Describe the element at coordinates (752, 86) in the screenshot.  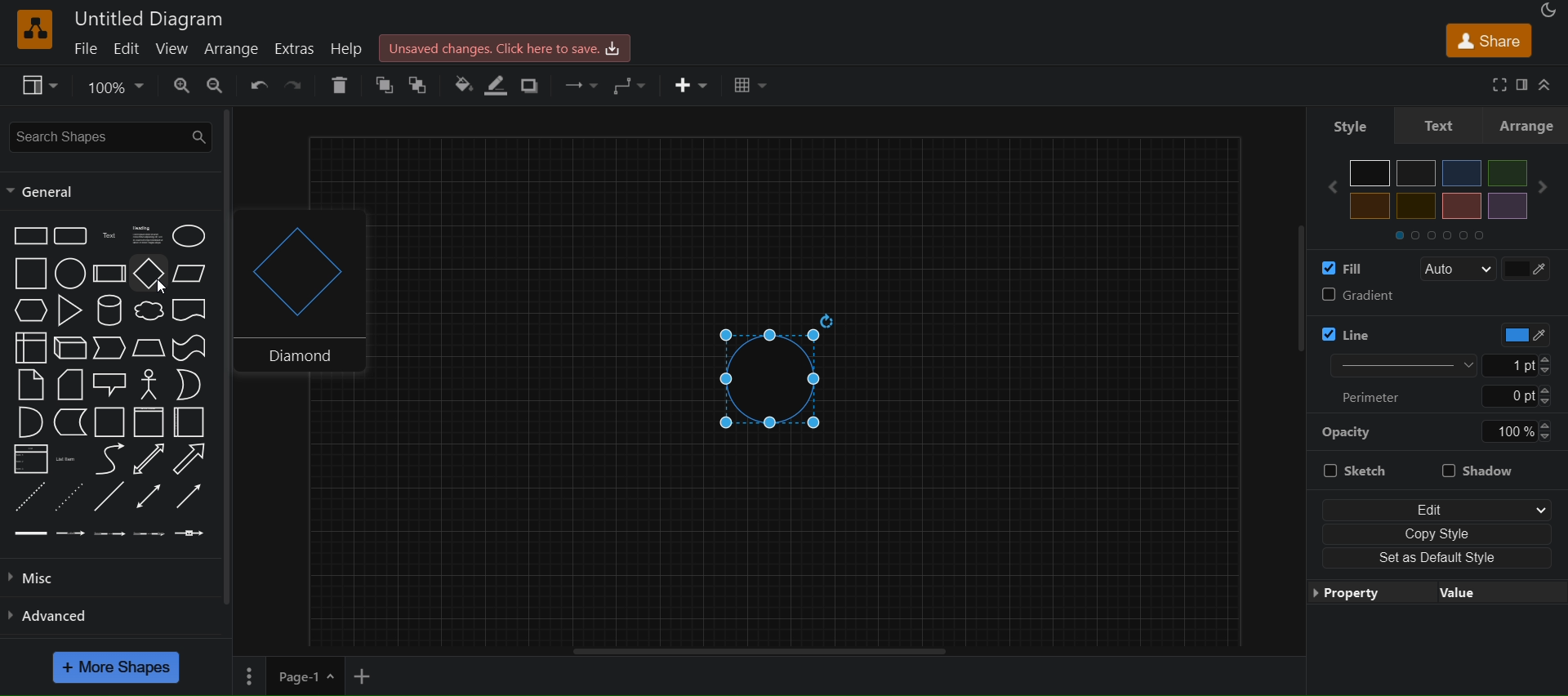
I see `table` at that location.